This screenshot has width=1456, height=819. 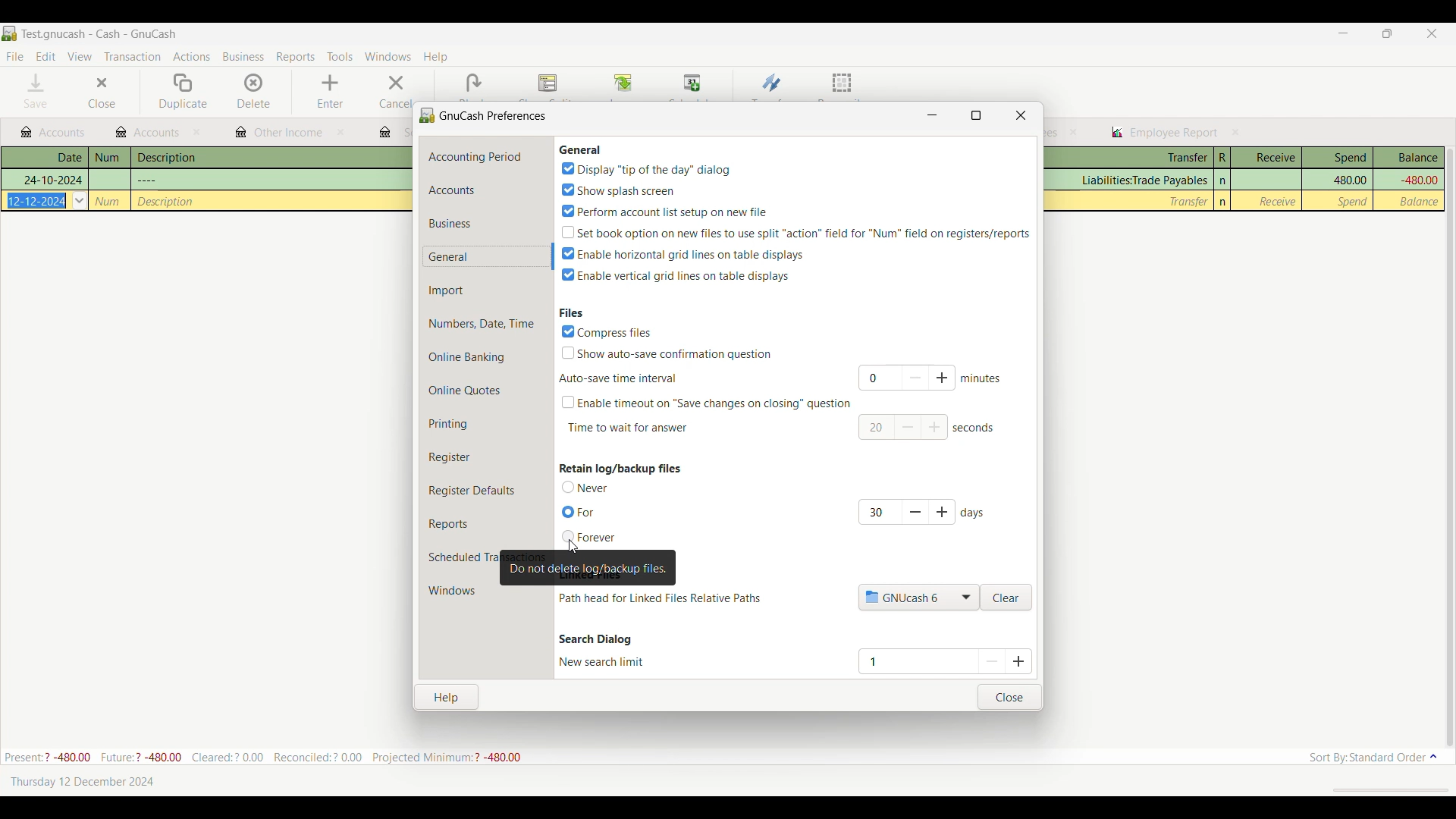 I want to click on Indicates setting for time to wait for answer, so click(x=628, y=428).